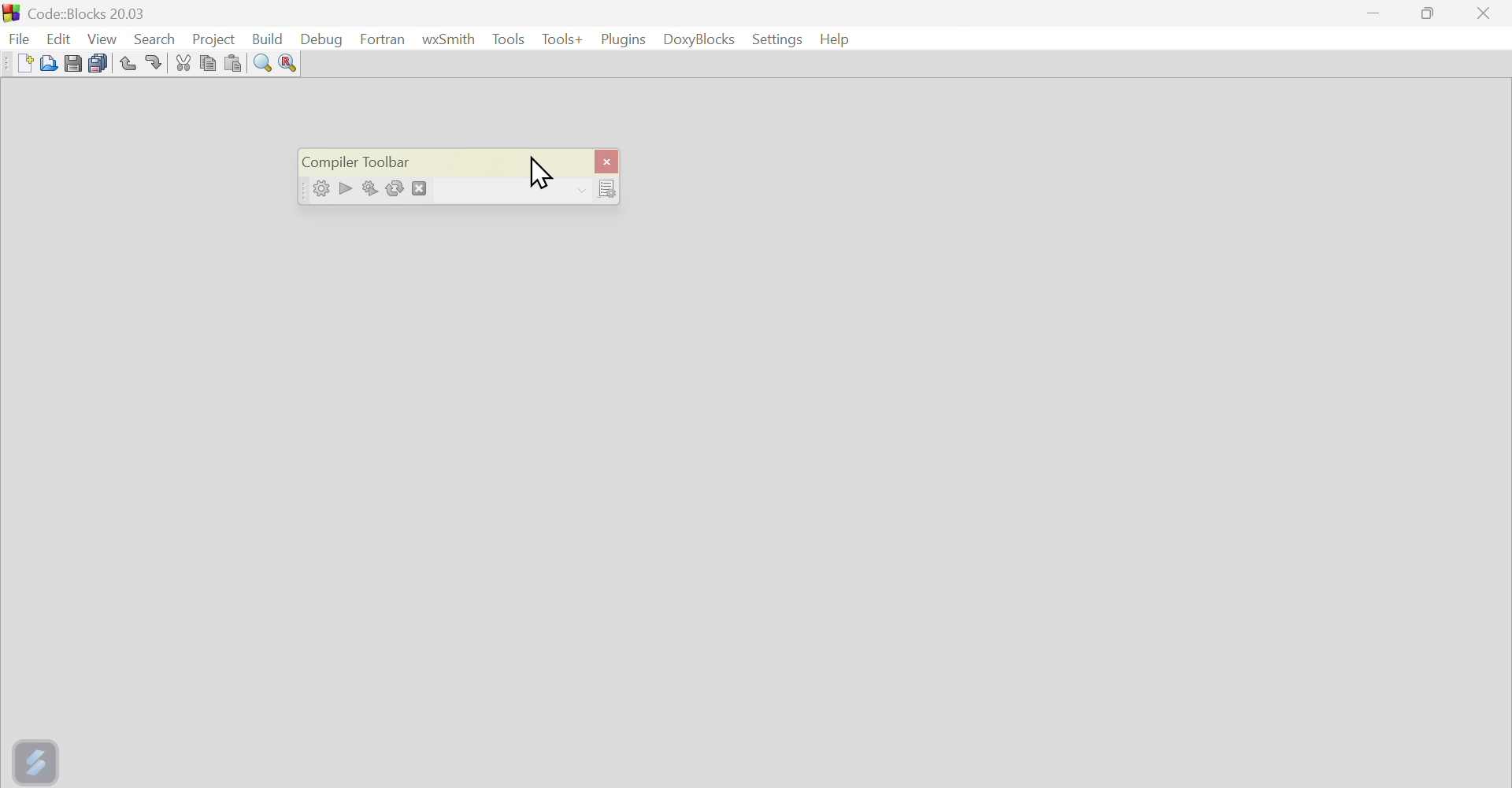 This screenshot has height=788, width=1512. Describe the element at coordinates (184, 62) in the screenshot. I see `` at that location.